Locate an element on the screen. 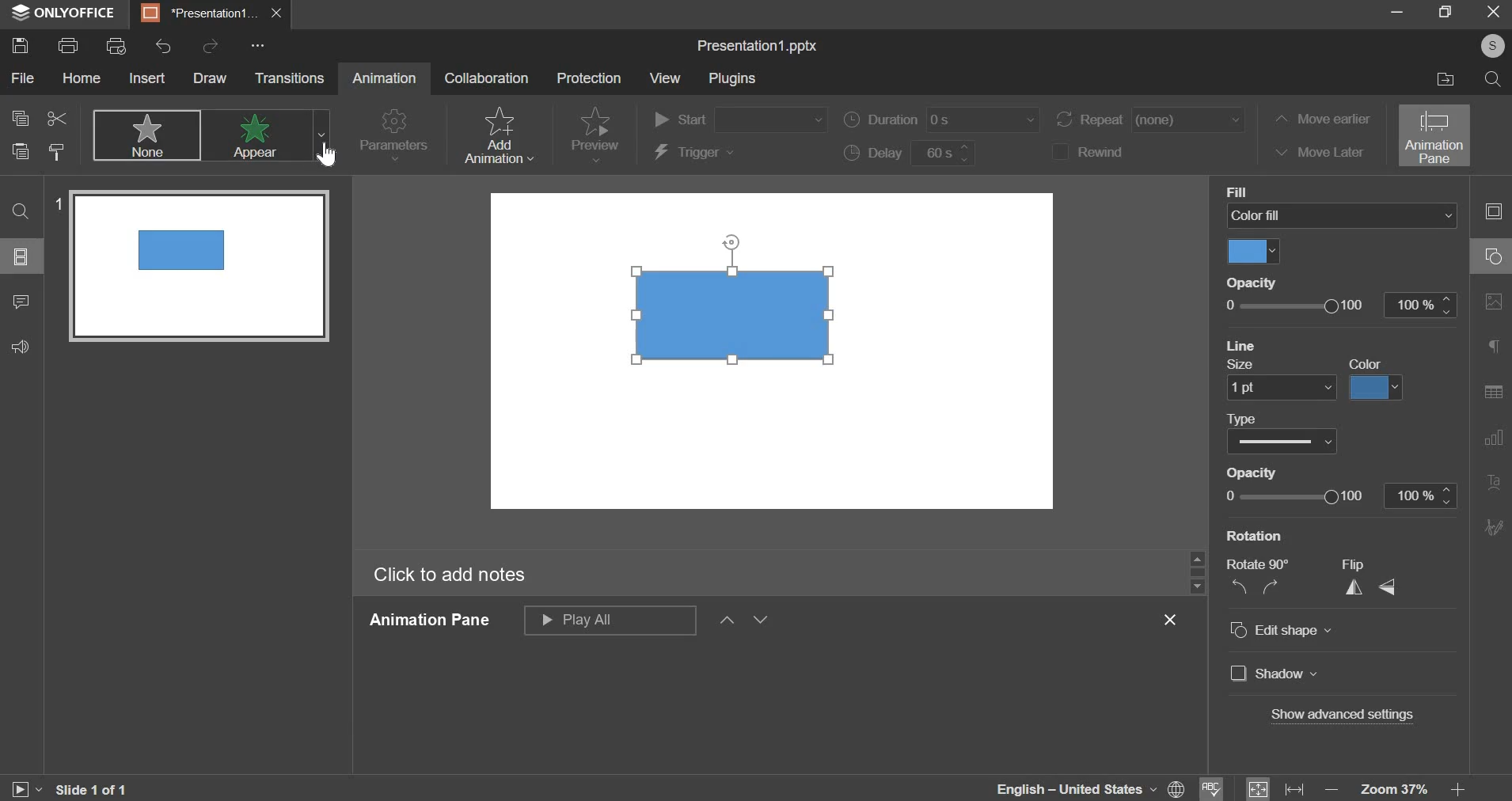 This screenshot has width=1512, height=801. collaboration is located at coordinates (488, 78).